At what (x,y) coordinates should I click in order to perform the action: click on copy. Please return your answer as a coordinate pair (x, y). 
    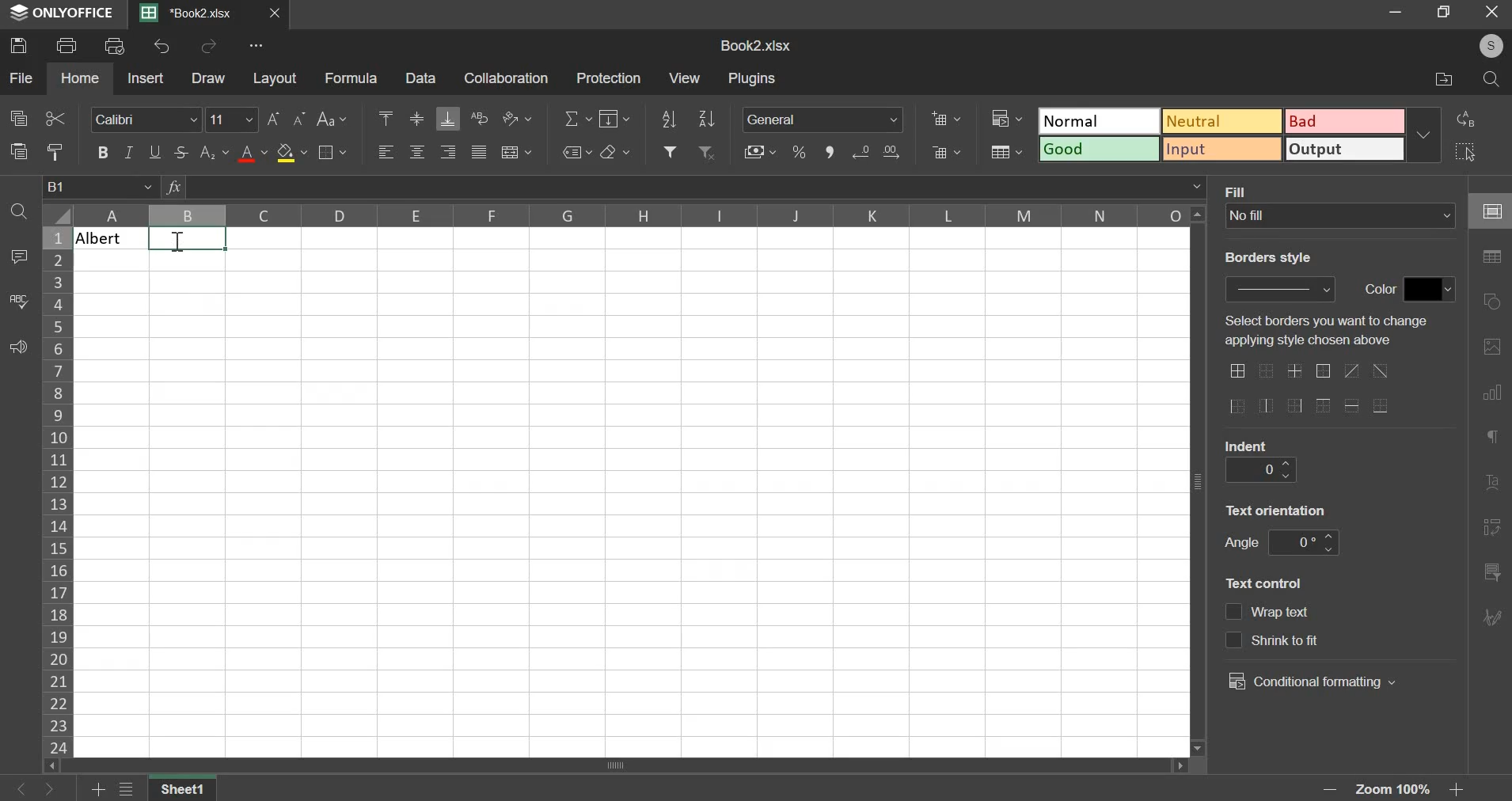
    Looking at the image, I should click on (19, 118).